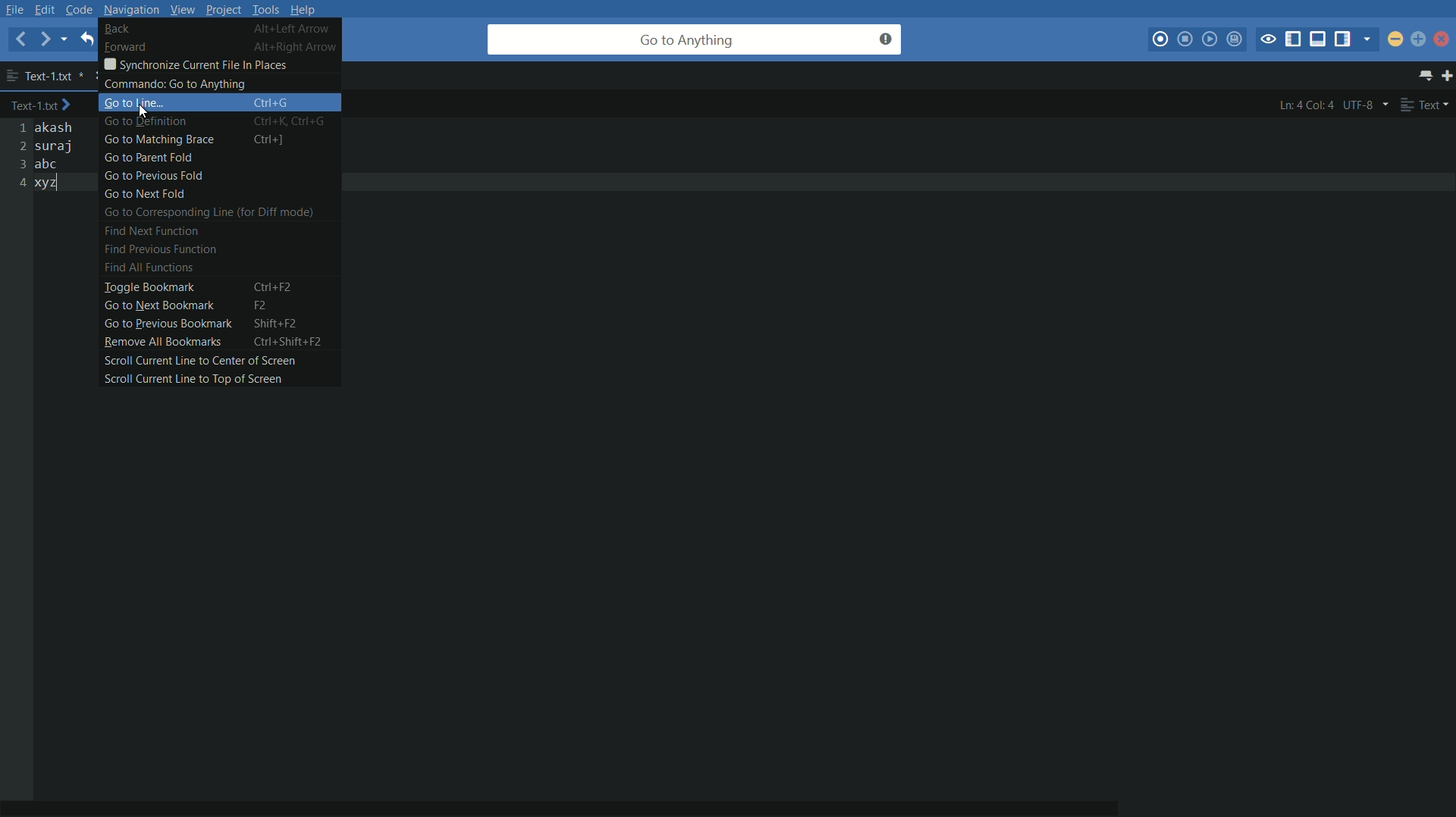  Describe the element at coordinates (1210, 39) in the screenshot. I see `play last macro` at that location.